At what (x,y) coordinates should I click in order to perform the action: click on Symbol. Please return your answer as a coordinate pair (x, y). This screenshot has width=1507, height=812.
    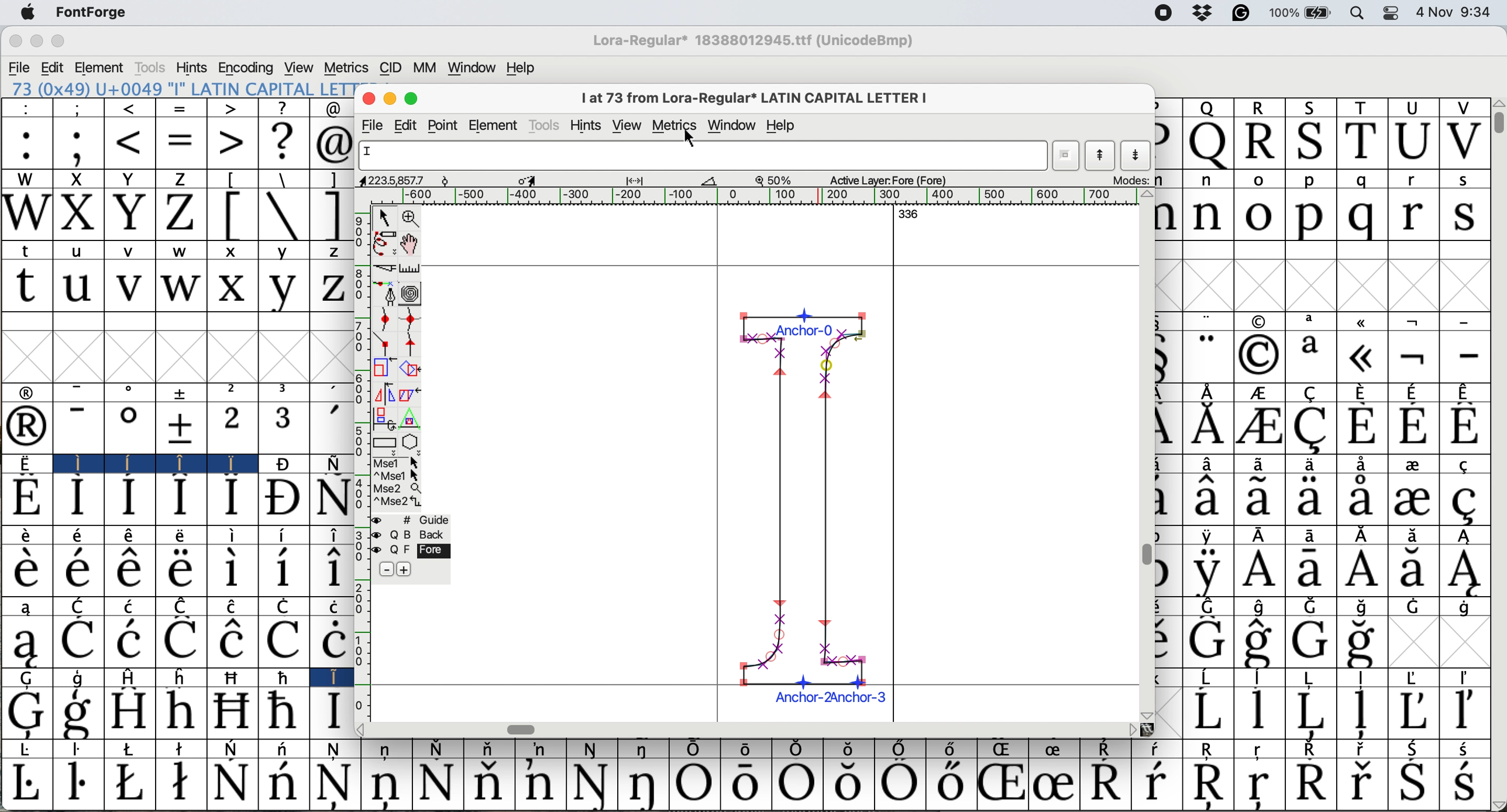
    Looking at the image, I should click on (1265, 606).